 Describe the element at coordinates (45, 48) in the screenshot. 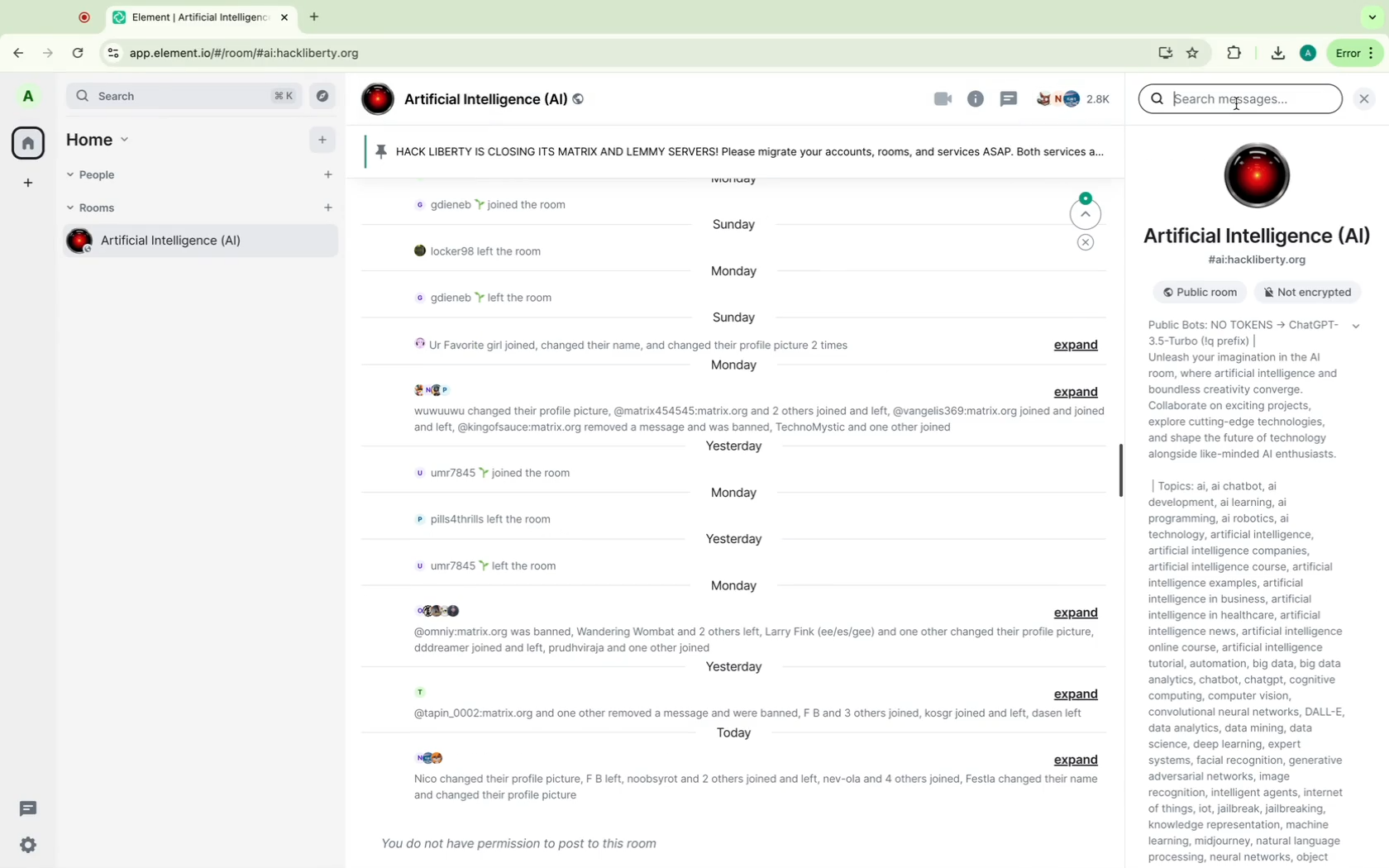

I see `forward` at that location.